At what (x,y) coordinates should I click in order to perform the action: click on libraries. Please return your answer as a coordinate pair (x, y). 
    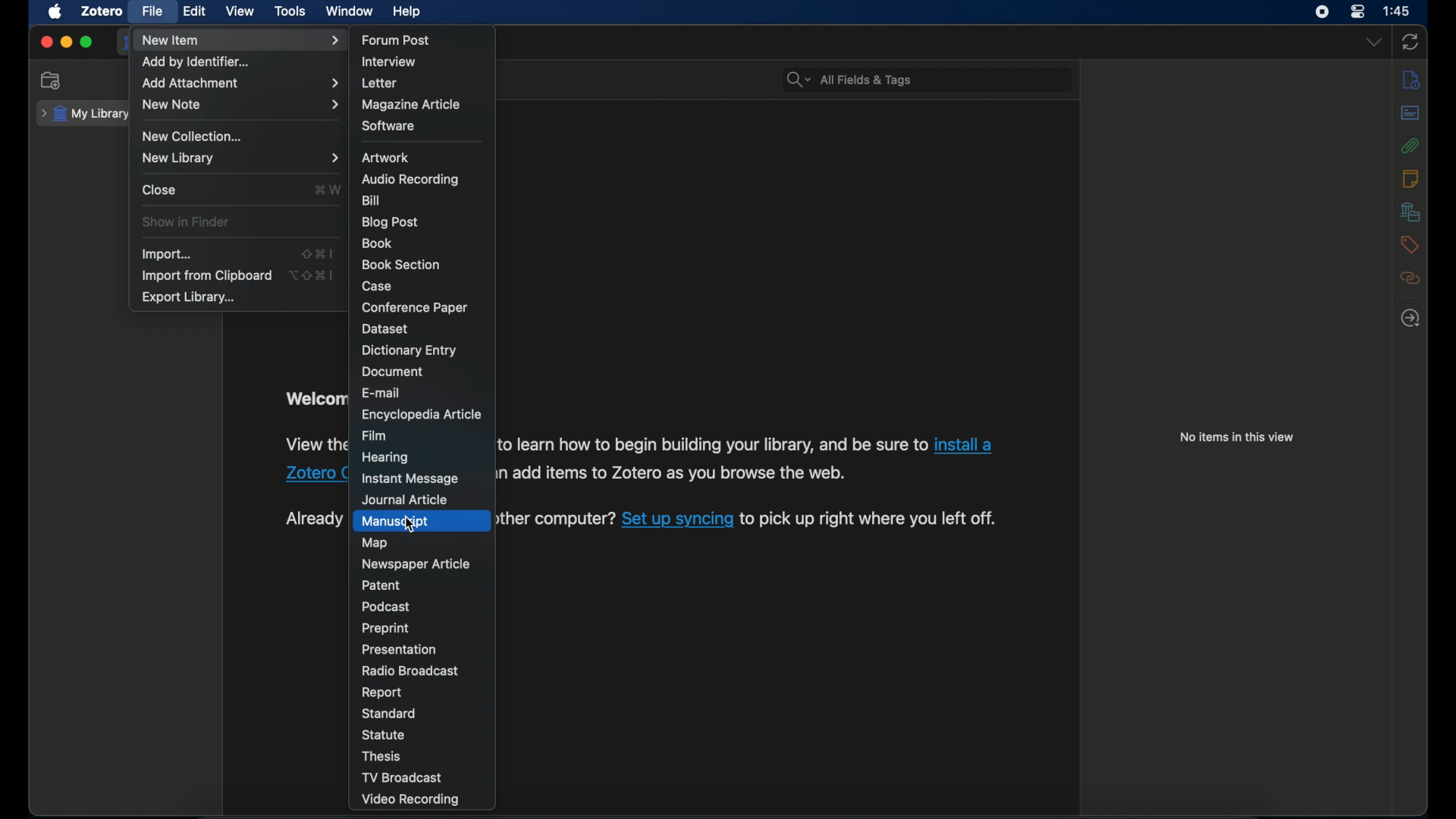
    Looking at the image, I should click on (1410, 212).